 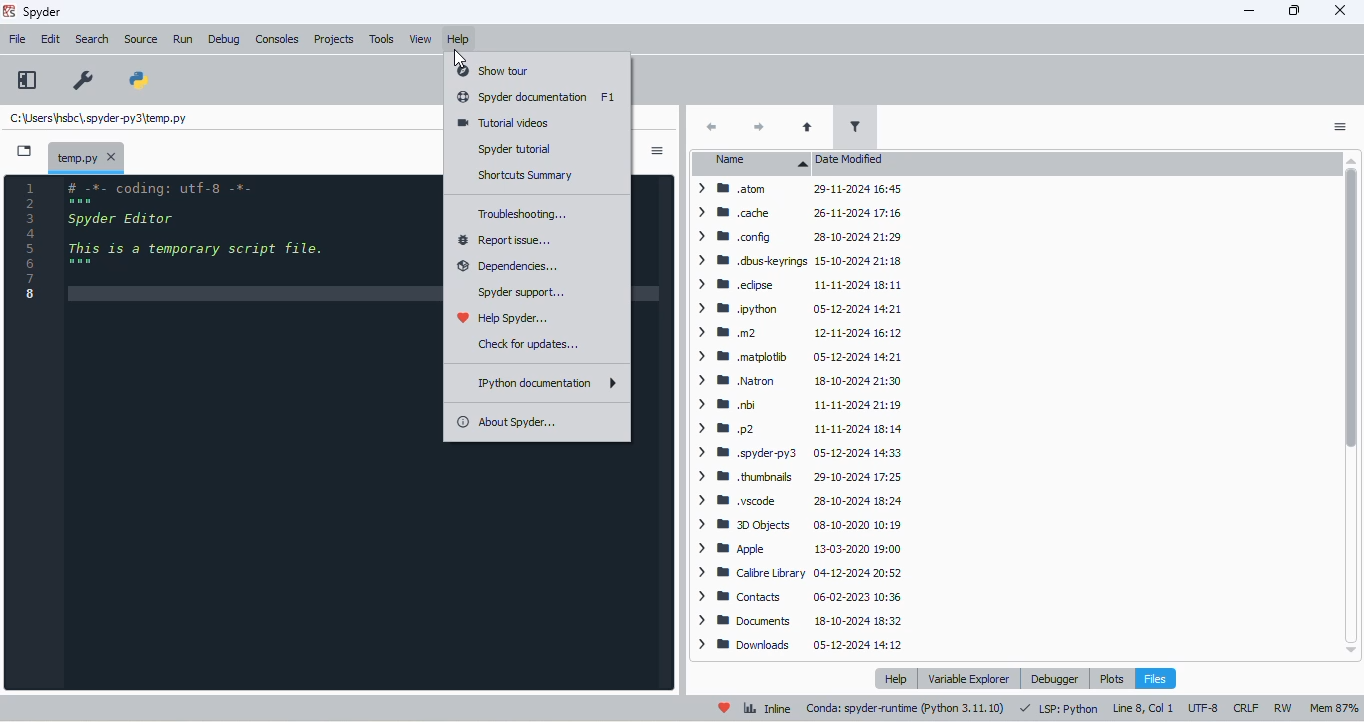 I want to click on help spyder!, so click(x=725, y=708).